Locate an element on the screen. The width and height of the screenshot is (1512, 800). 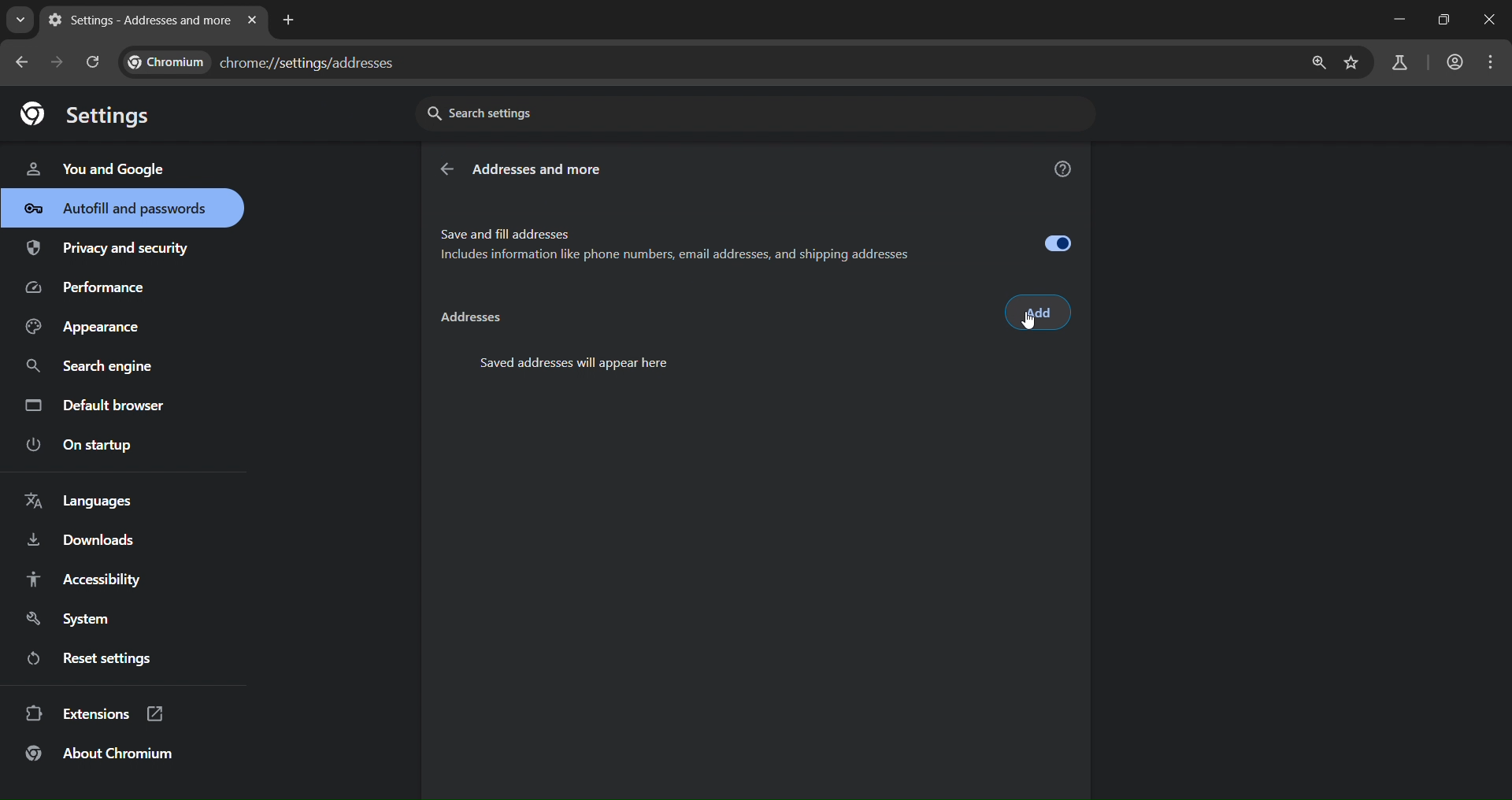
chrome://settings/addresses is located at coordinates (705, 64).